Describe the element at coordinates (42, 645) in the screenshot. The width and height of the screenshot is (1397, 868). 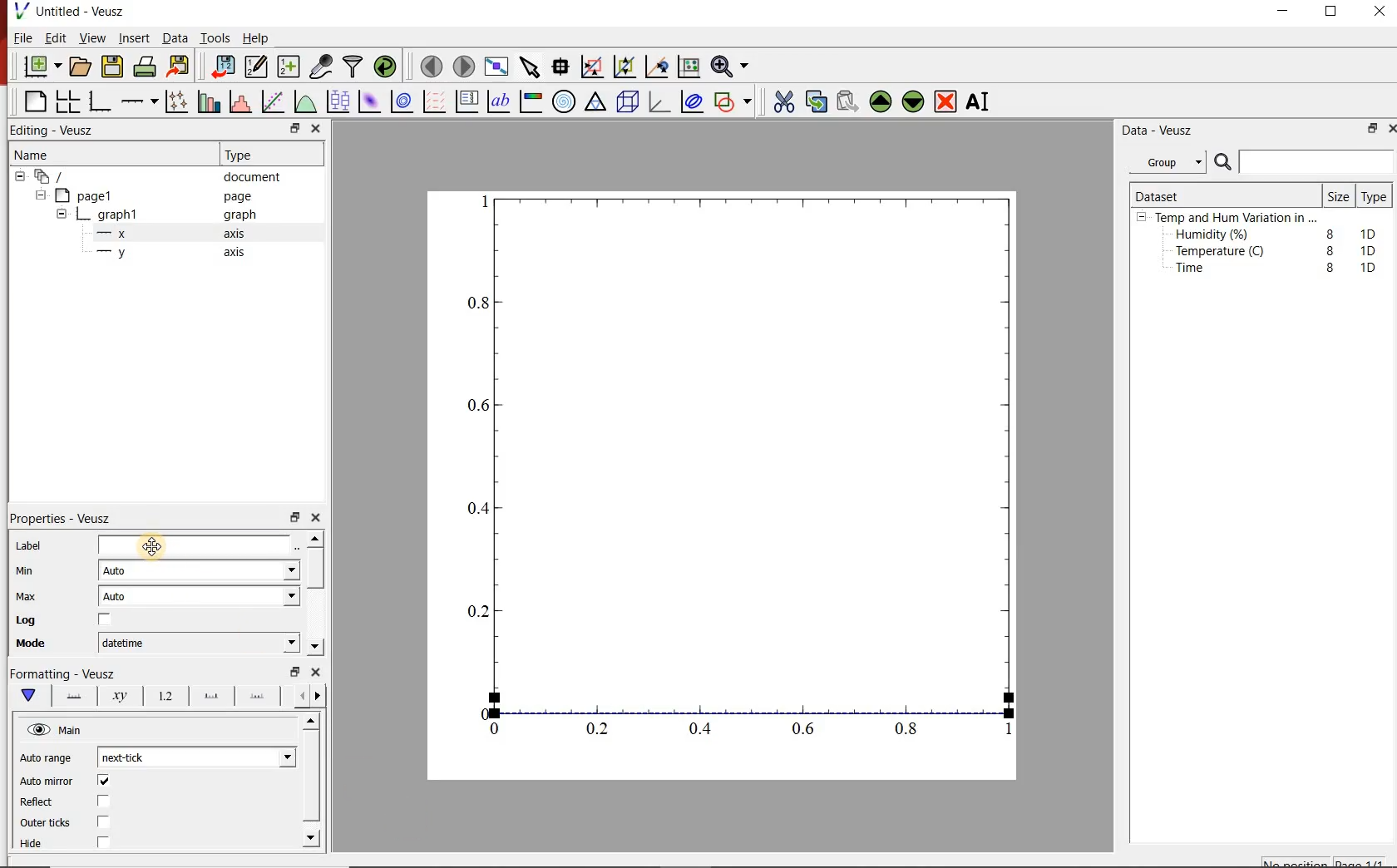
I see `Mode` at that location.